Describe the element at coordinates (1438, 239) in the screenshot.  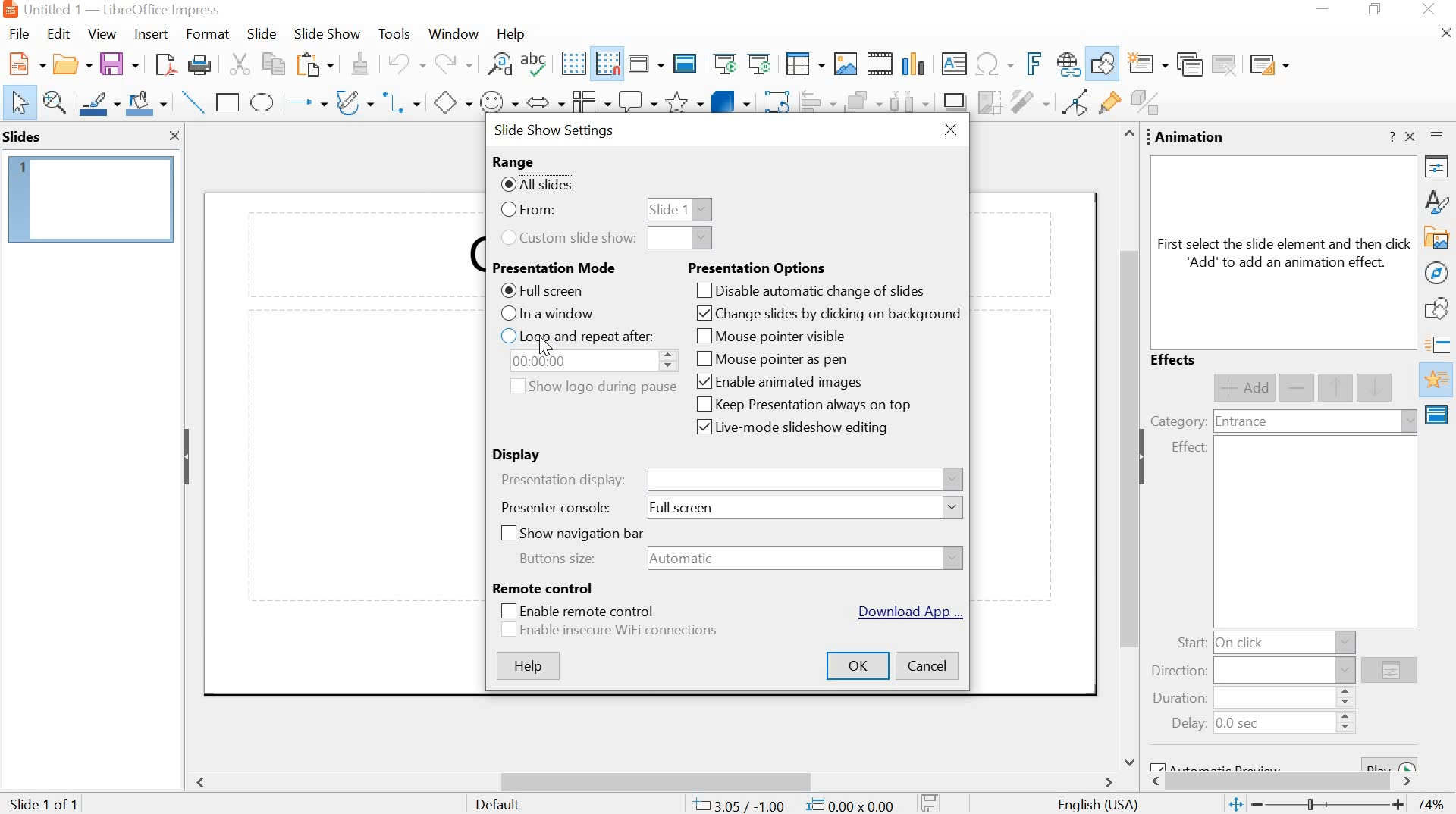
I see `gallery` at that location.